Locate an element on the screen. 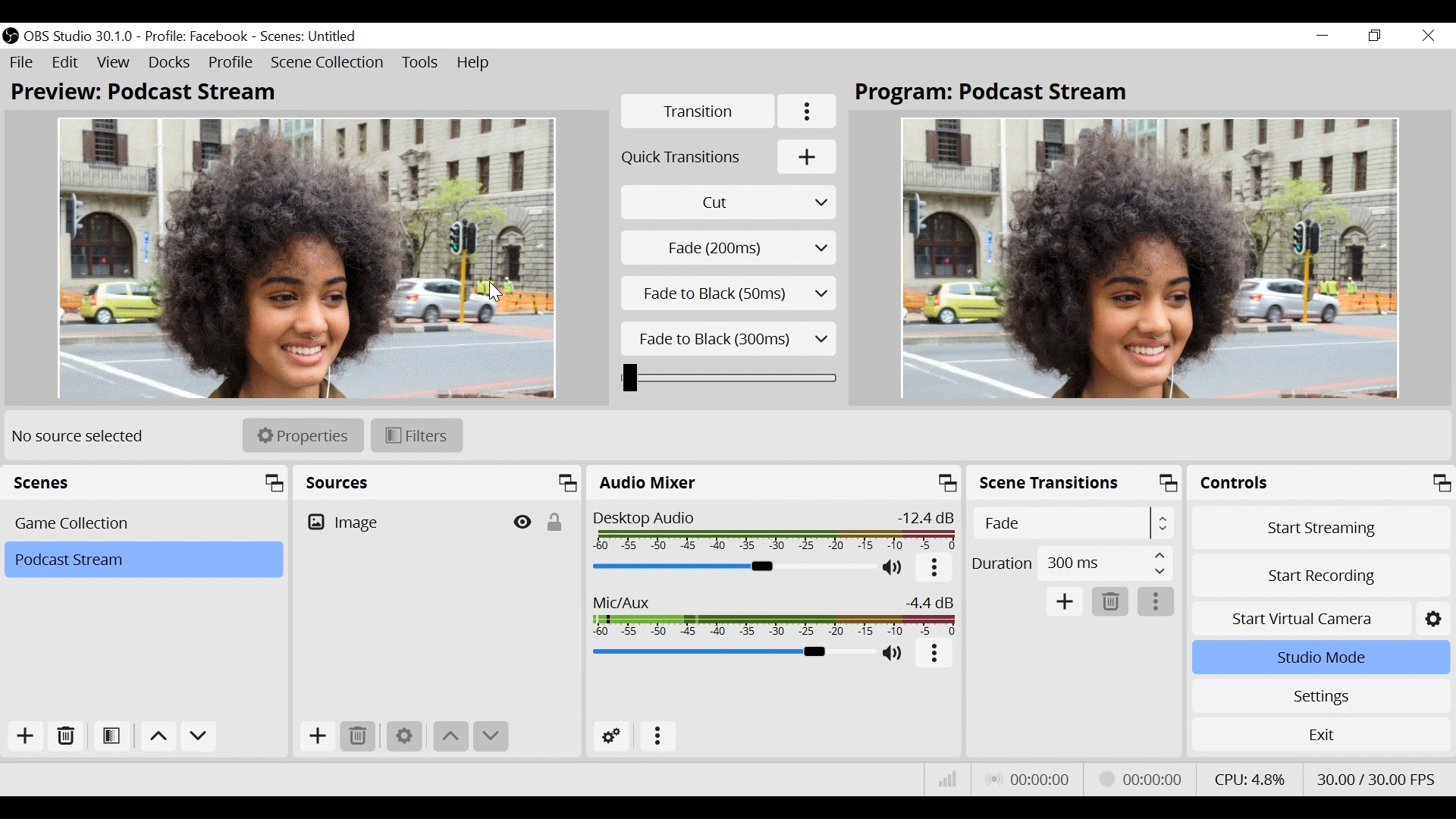  move up is located at coordinates (452, 736).